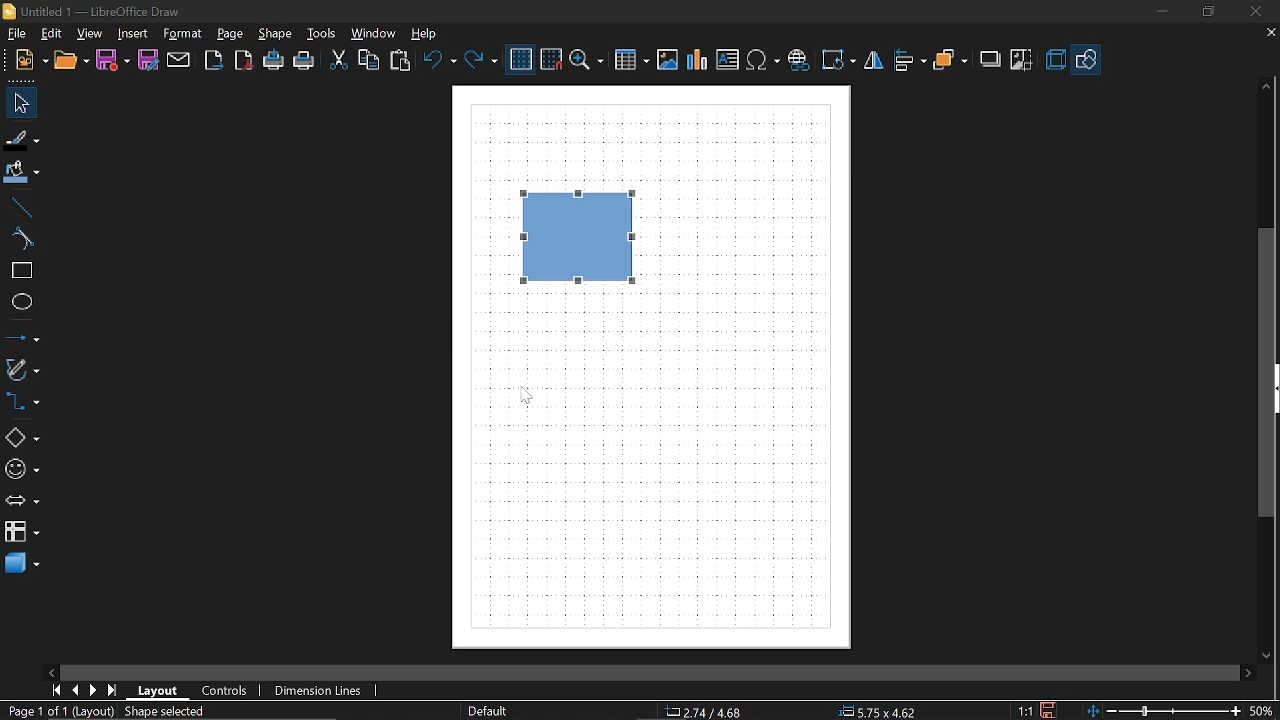 The image size is (1280, 720). Describe the element at coordinates (1267, 372) in the screenshot. I see `Vertical scrollbar` at that location.